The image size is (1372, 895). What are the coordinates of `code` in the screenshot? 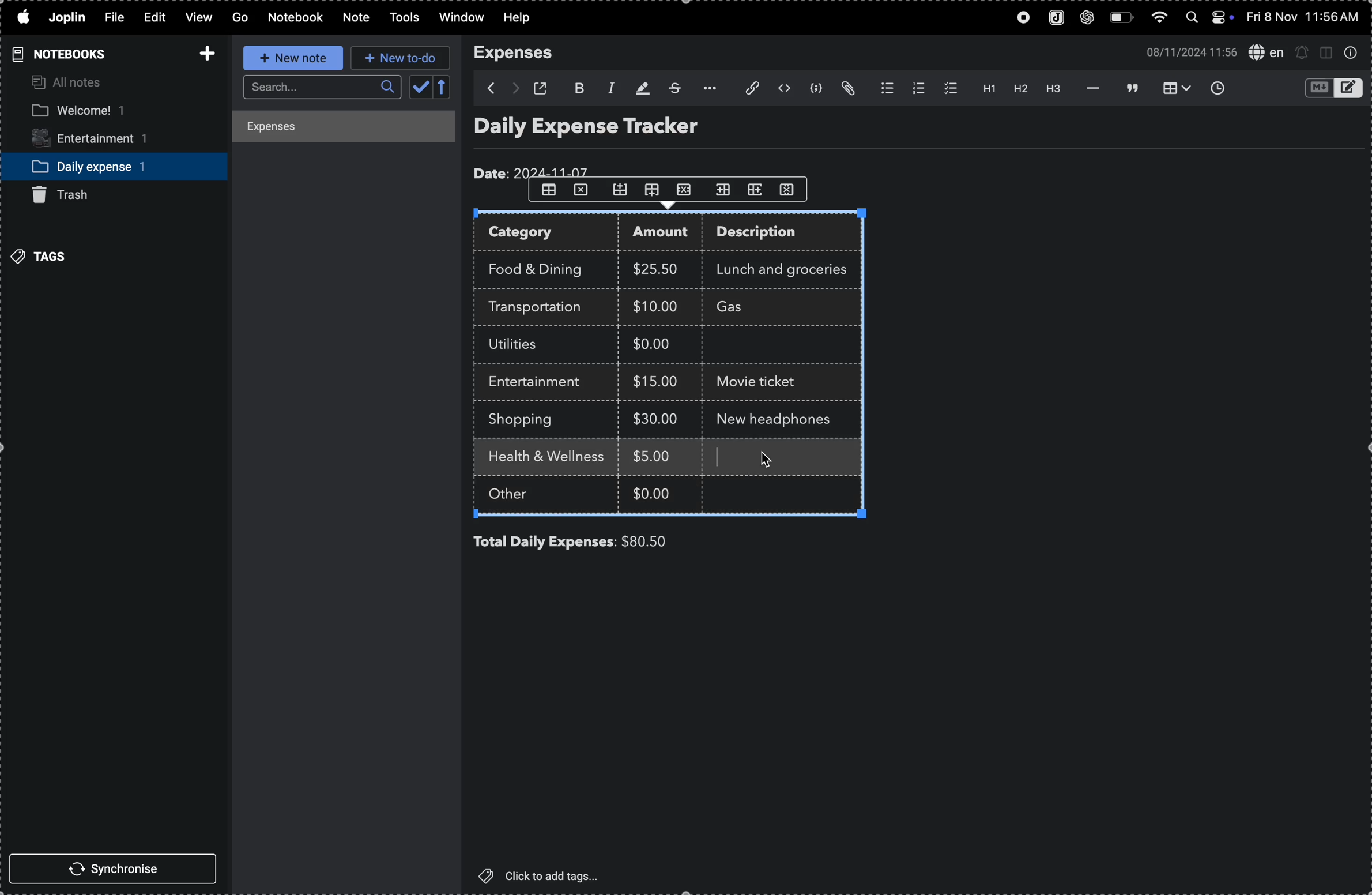 It's located at (817, 90).